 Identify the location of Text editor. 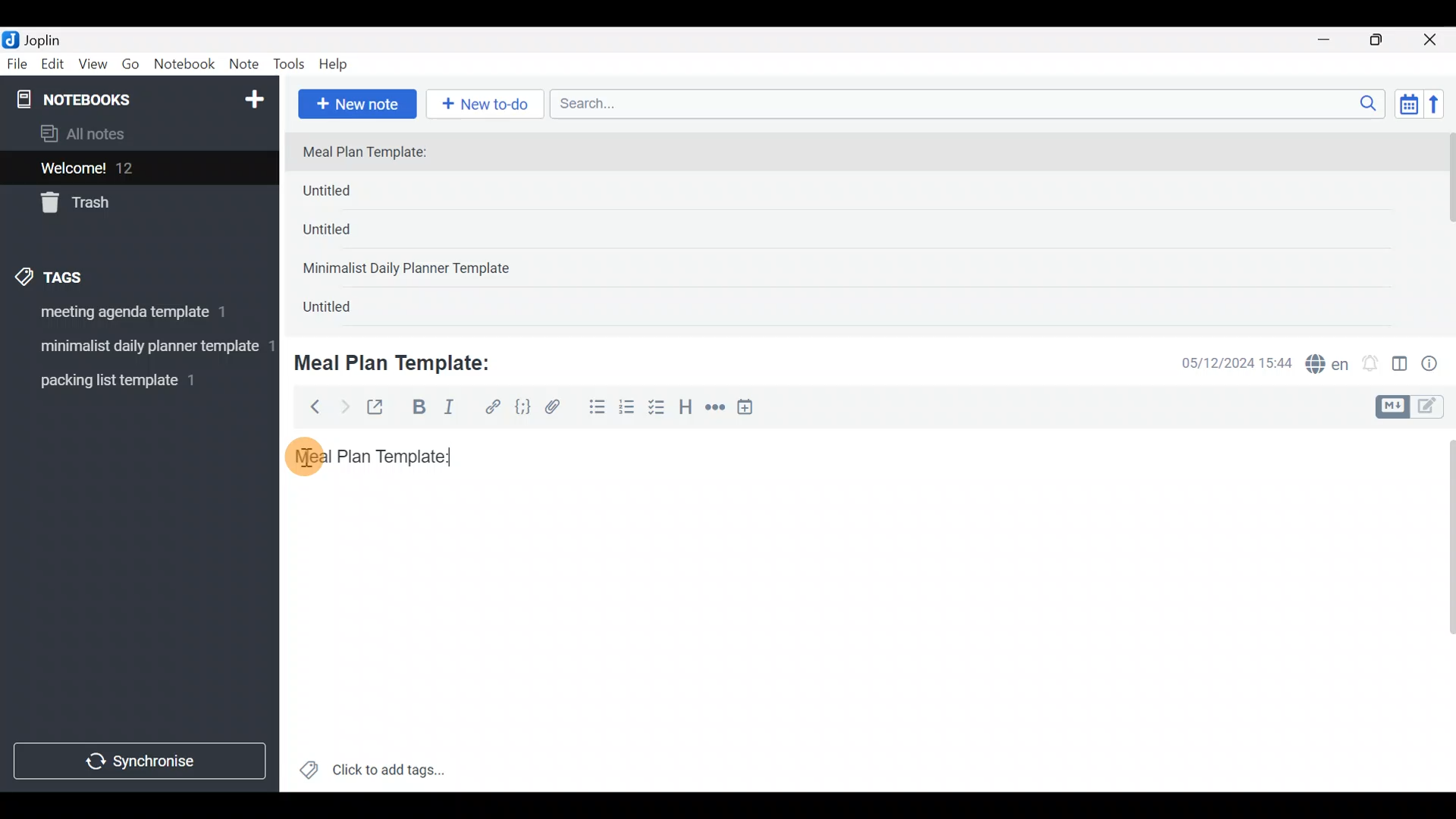
(846, 639).